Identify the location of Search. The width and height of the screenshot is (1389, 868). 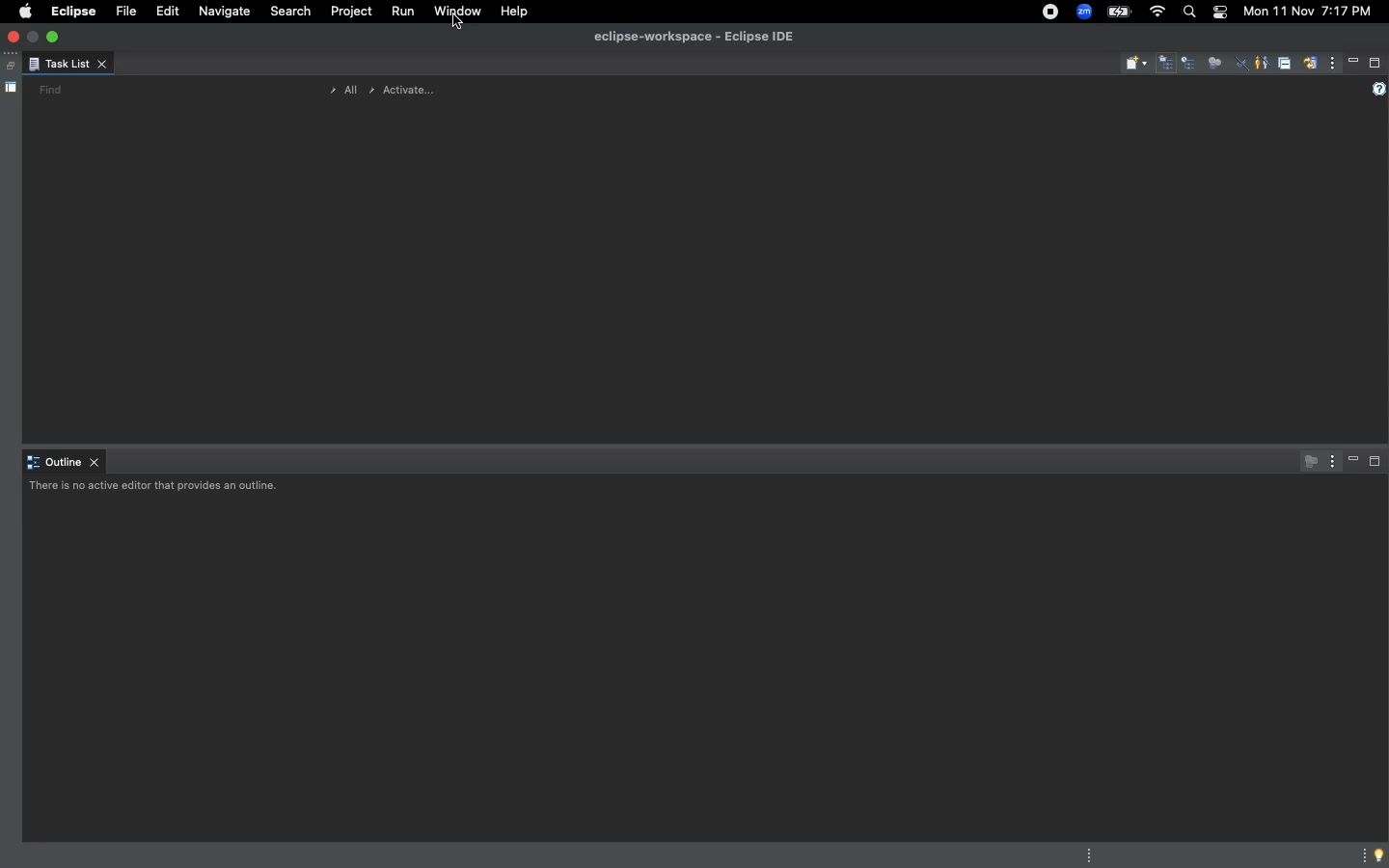
(1188, 14).